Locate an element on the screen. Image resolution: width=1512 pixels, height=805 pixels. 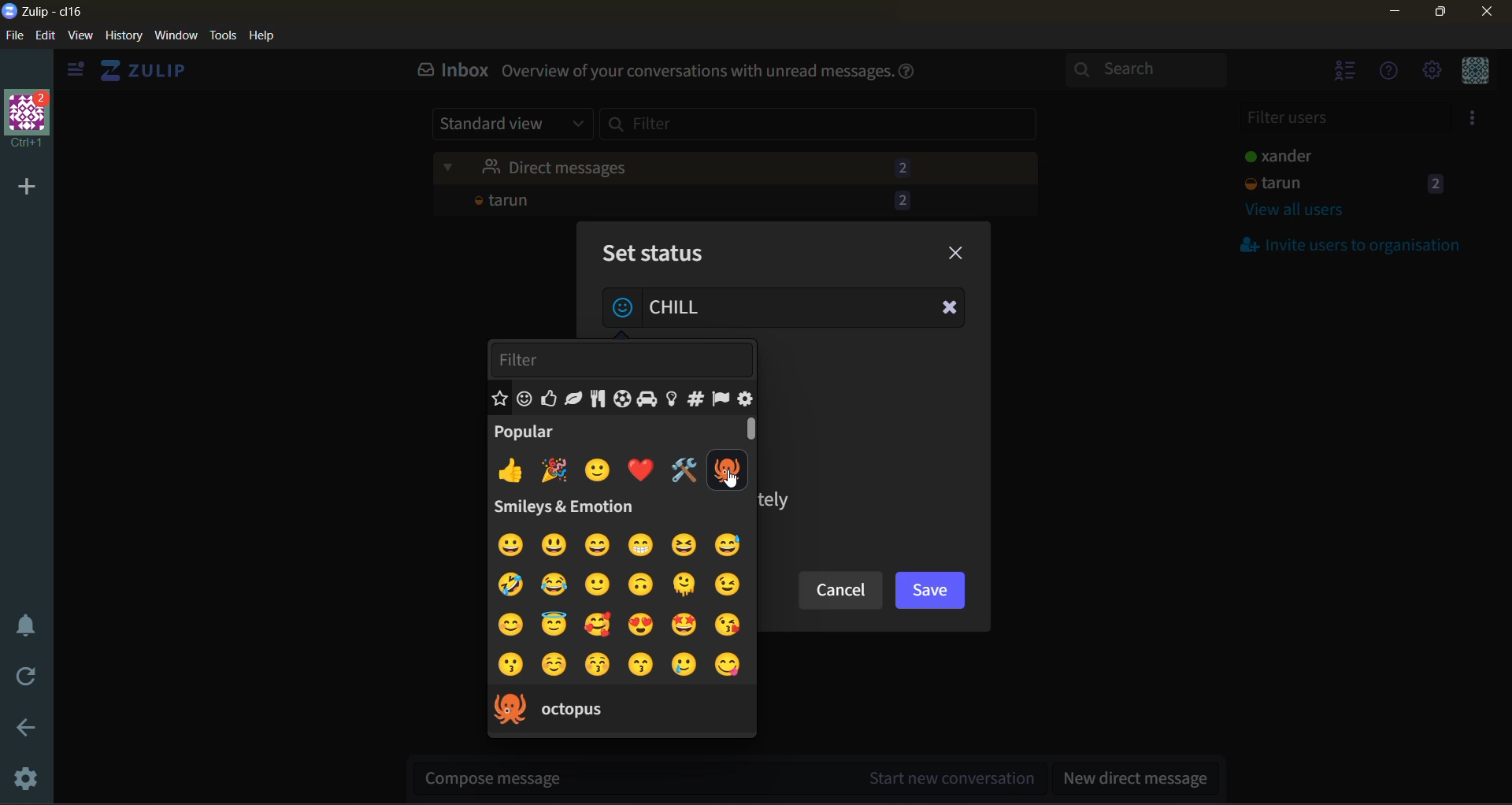
emoji is located at coordinates (507, 584).